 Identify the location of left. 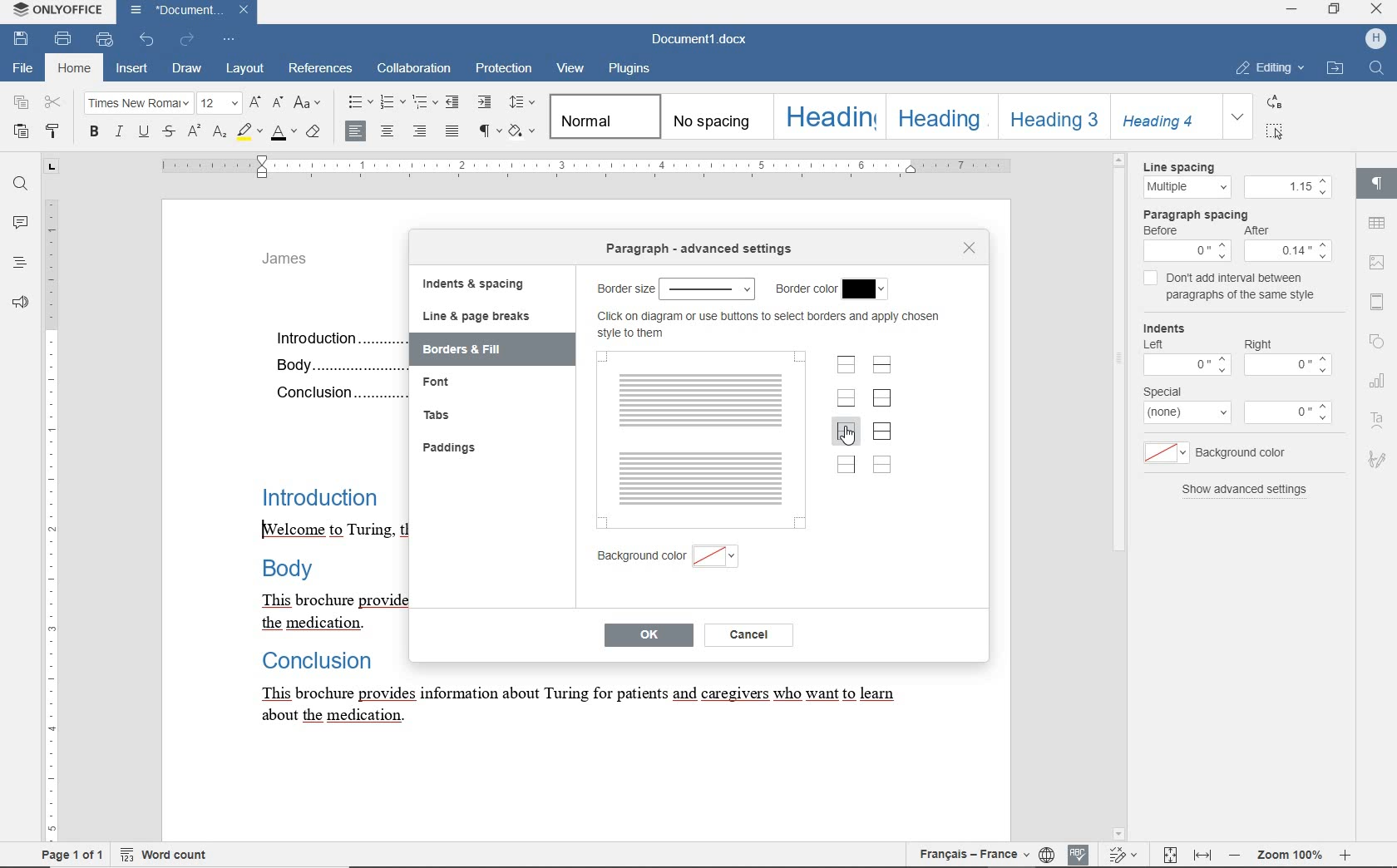
(1152, 343).